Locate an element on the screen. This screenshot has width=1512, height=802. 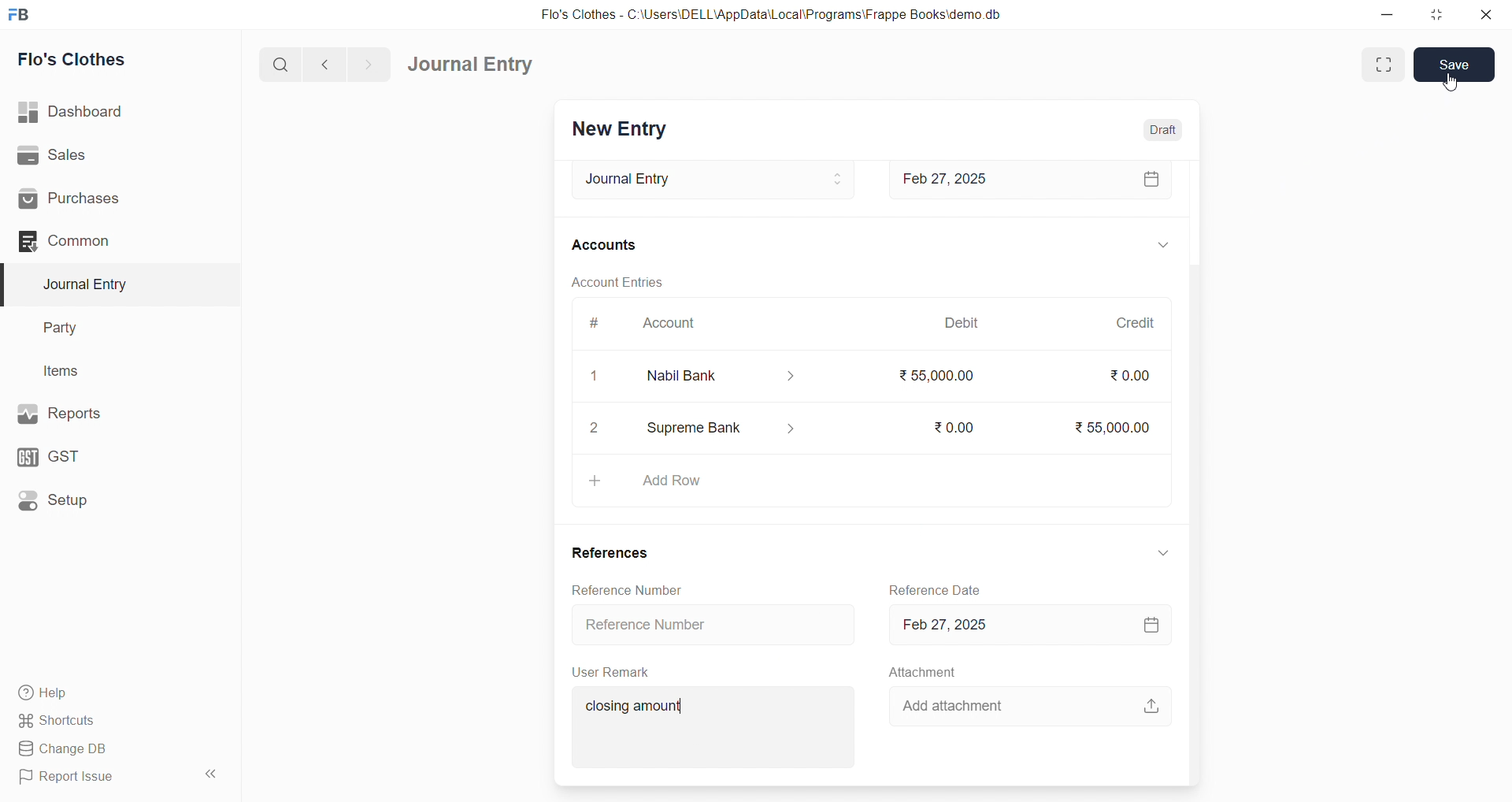
₹0.00 is located at coordinates (1126, 375).